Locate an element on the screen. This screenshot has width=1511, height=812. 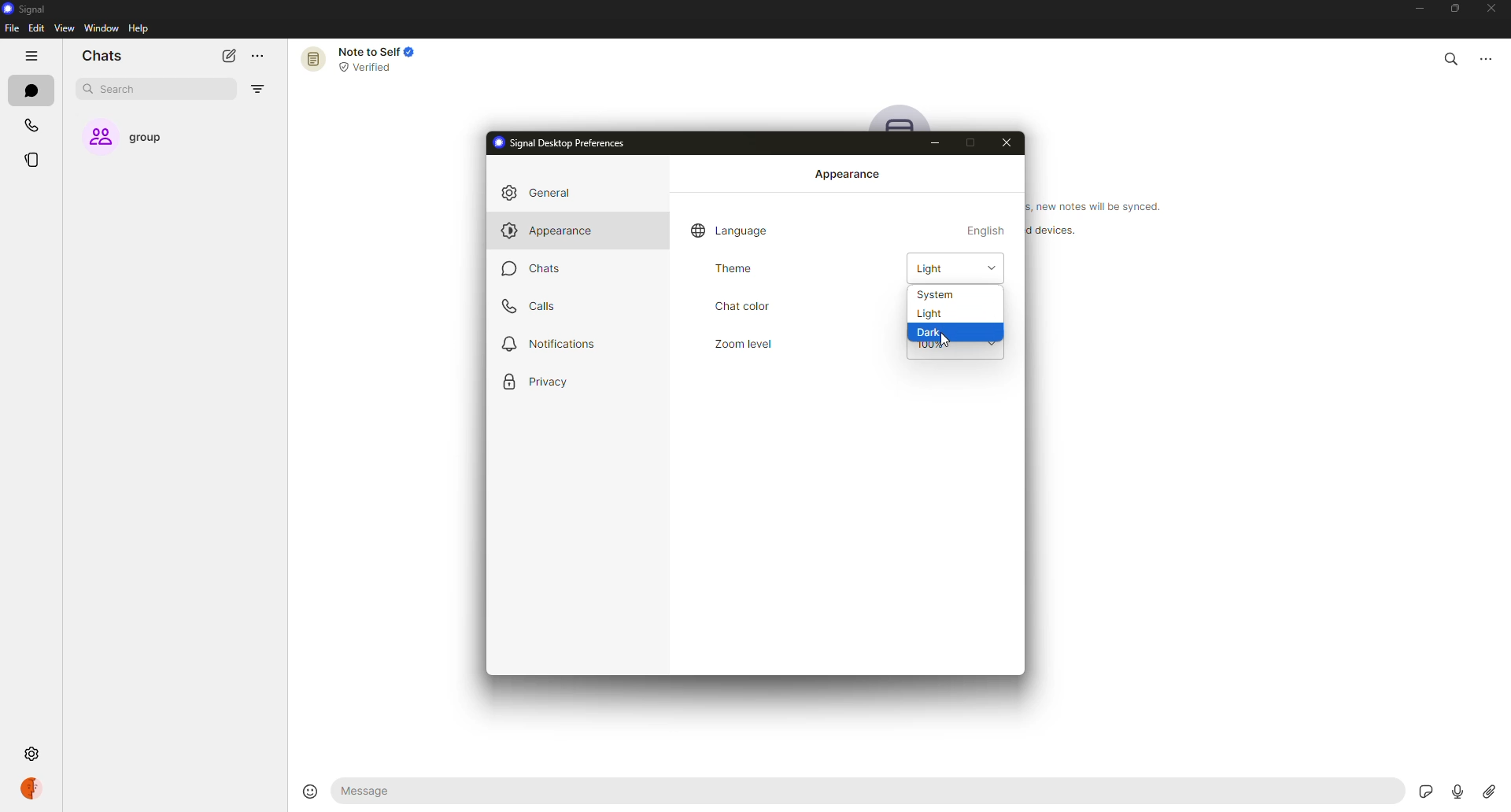
note to self is located at coordinates (365, 58).